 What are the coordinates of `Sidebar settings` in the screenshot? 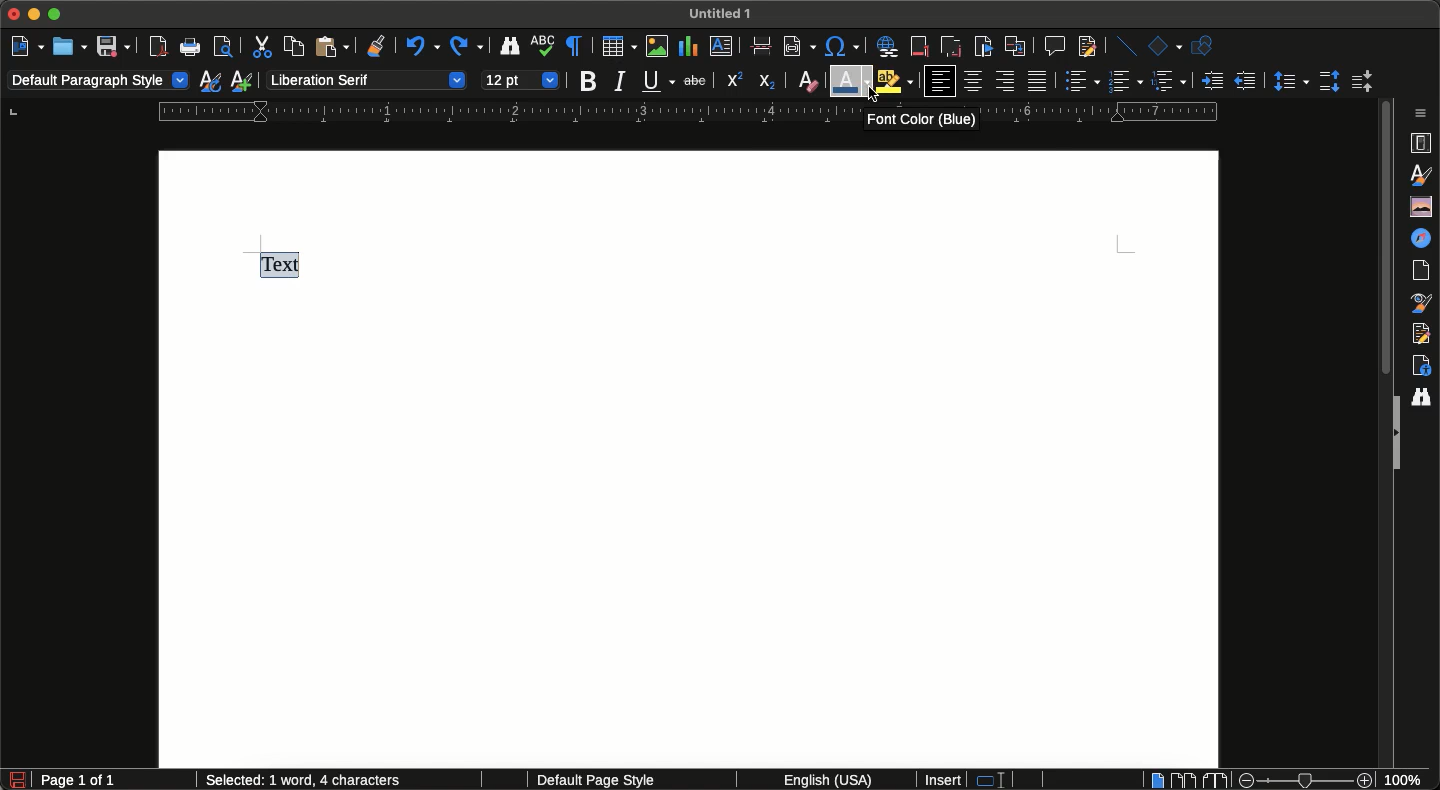 It's located at (1425, 112).